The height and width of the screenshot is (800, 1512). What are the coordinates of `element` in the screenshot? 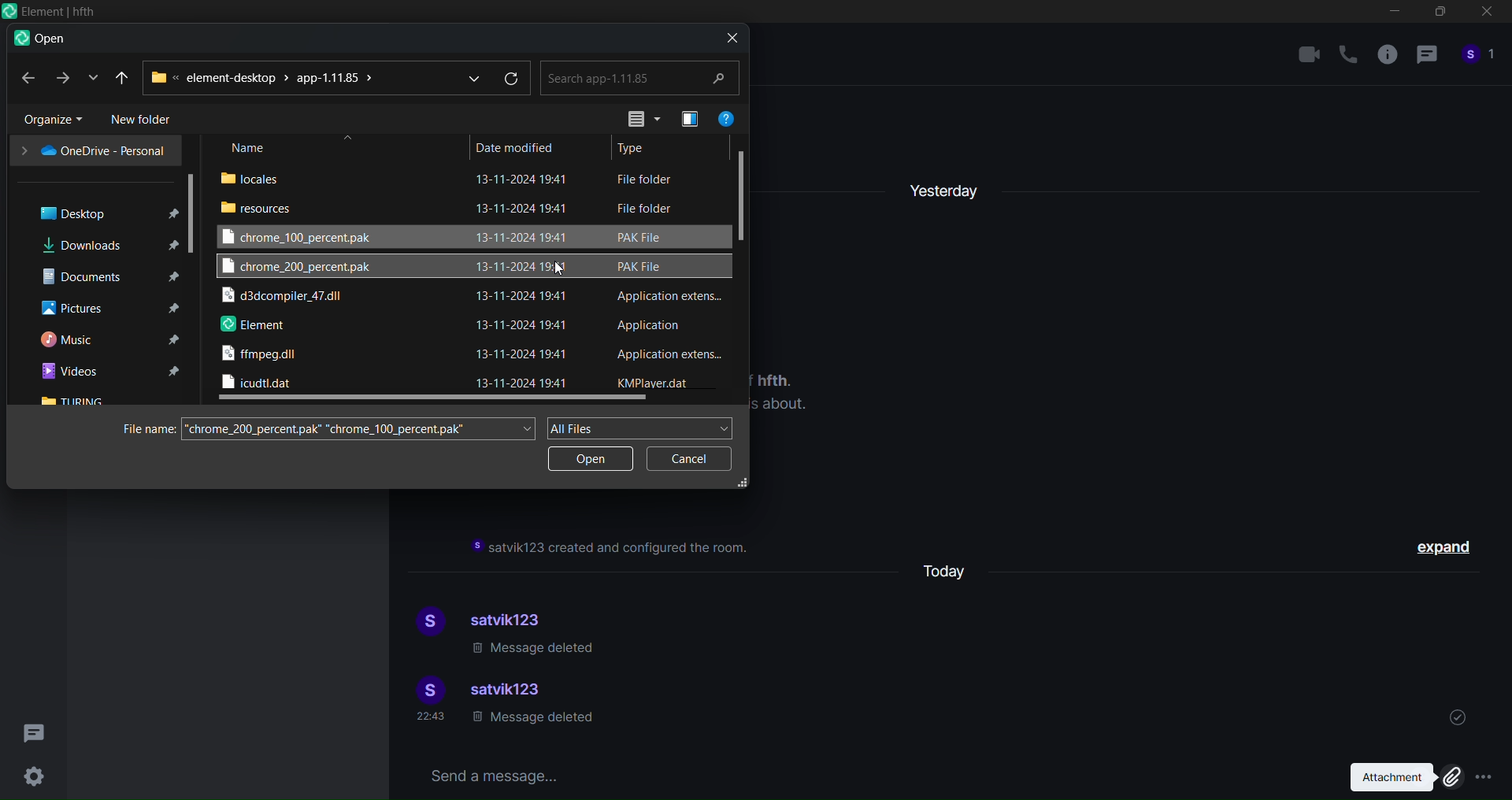 It's located at (254, 326).